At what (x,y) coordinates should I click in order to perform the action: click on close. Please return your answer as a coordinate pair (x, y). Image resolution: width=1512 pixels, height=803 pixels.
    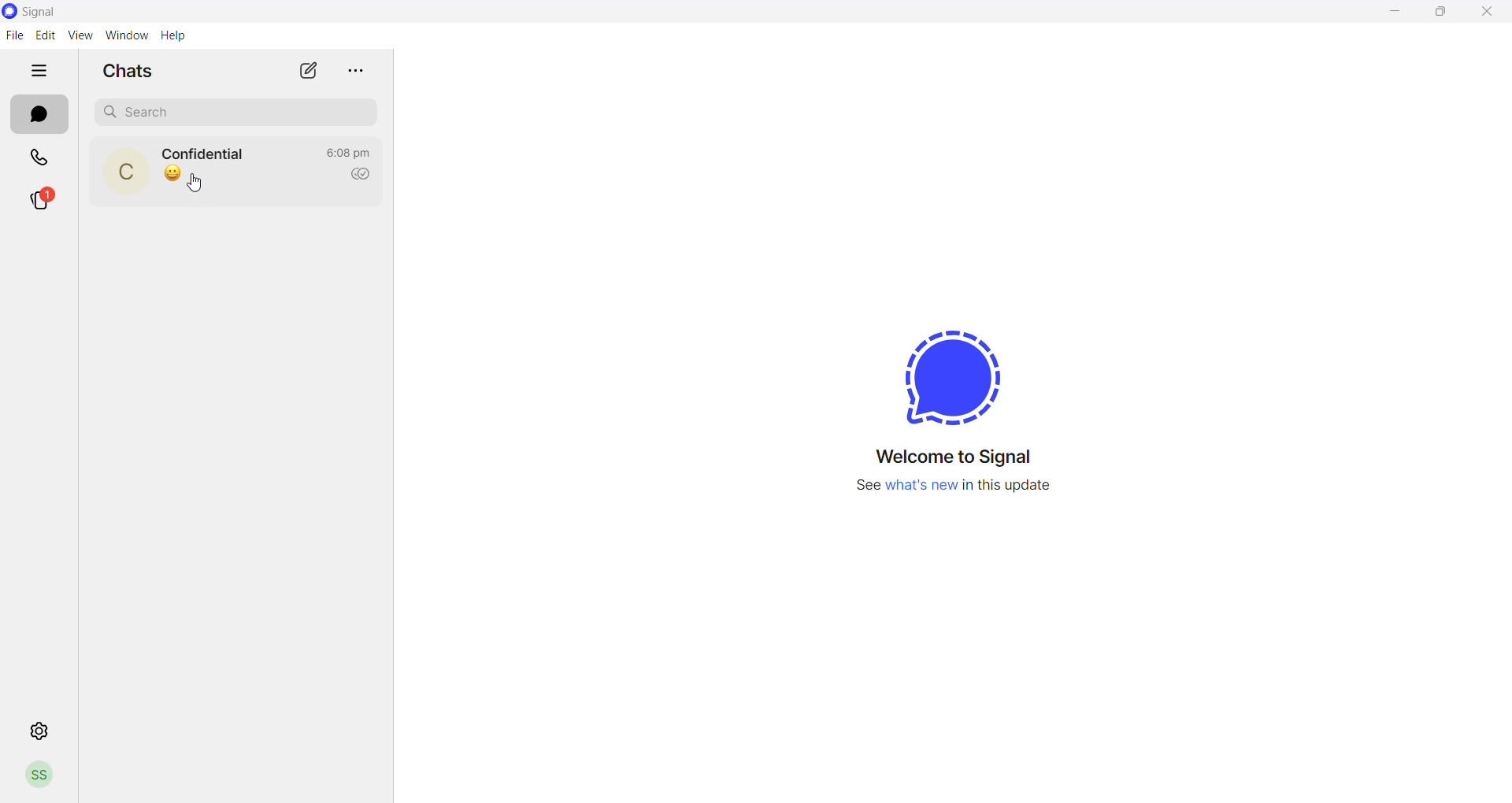
    Looking at the image, I should click on (1482, 16).